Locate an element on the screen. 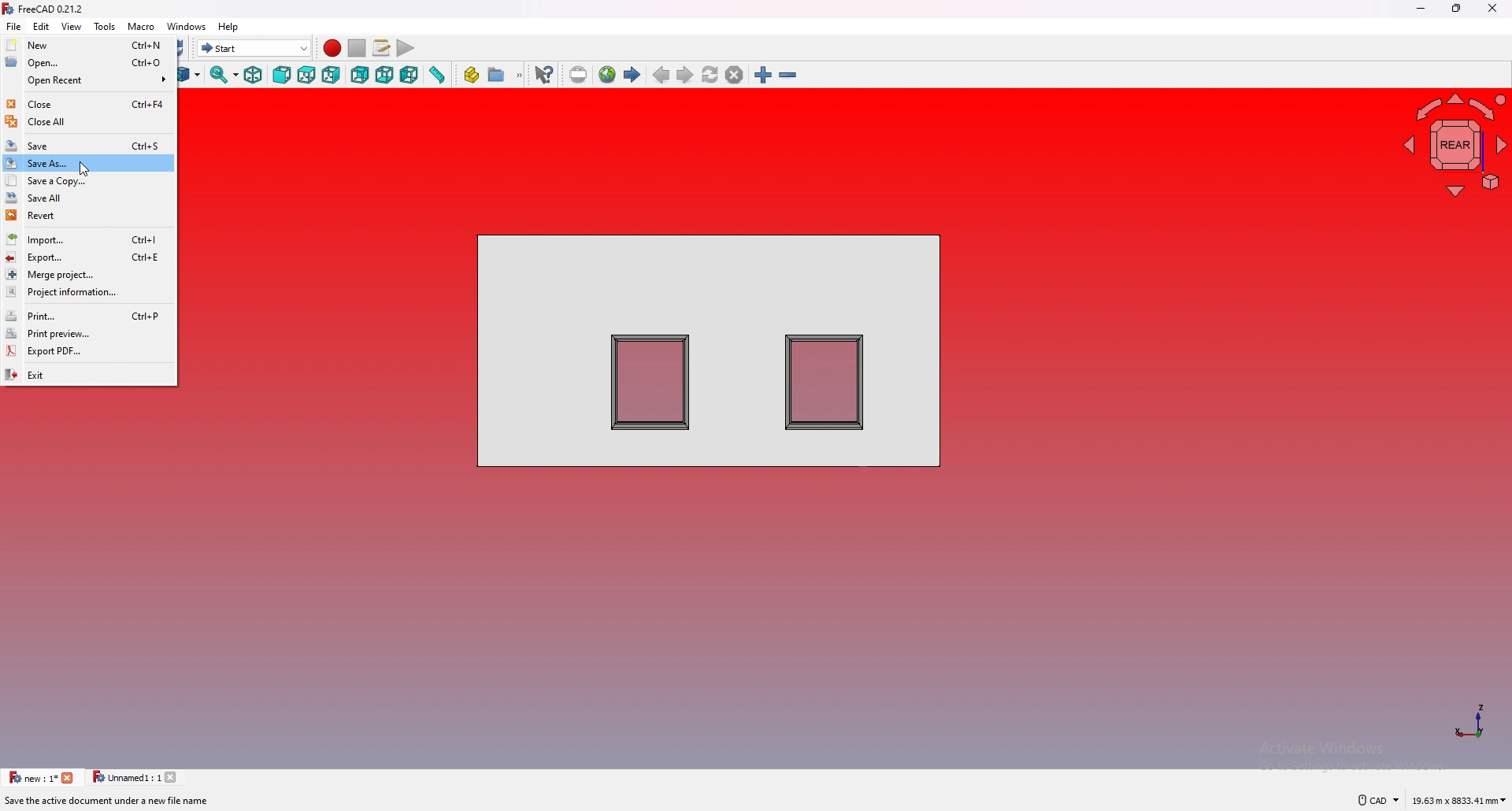 The image size is (1512, 811). left is located at coordinates (409, 76).